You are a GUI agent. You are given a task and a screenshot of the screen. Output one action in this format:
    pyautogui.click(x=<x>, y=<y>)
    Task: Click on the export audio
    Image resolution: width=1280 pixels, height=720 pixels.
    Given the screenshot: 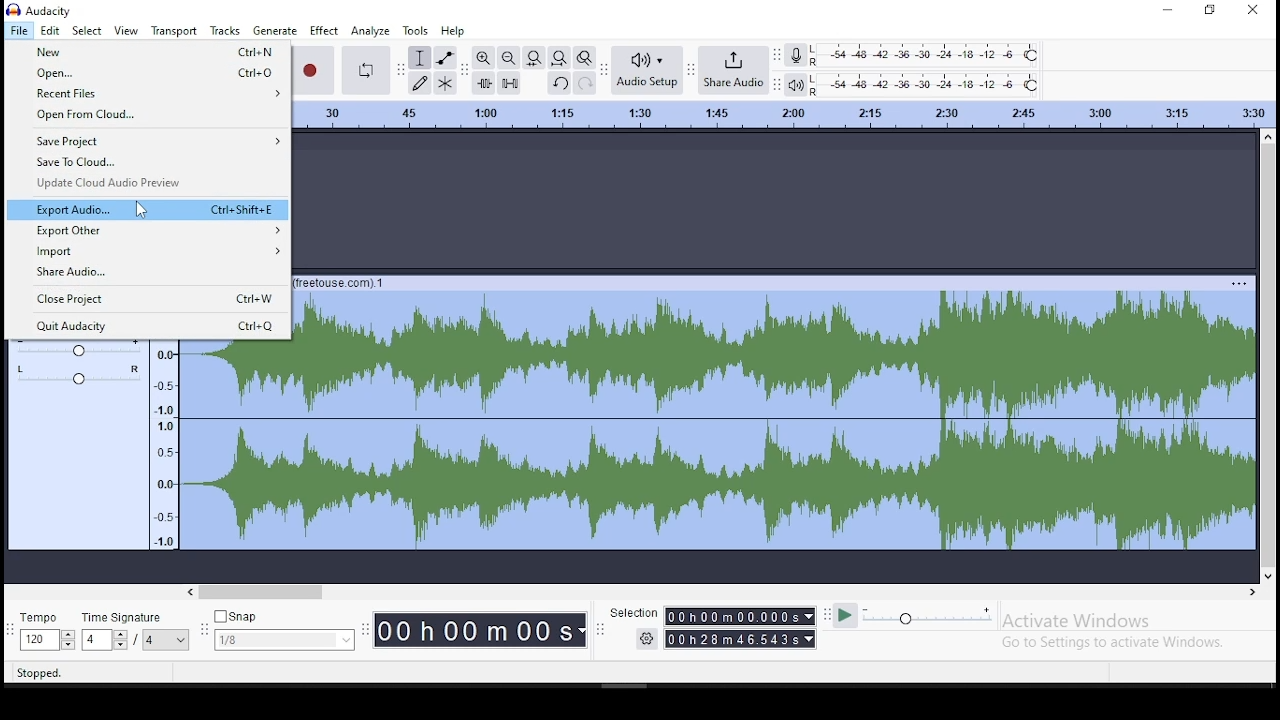 What is the action you would take?
    pyautogui.click(x=149, y=209)
    